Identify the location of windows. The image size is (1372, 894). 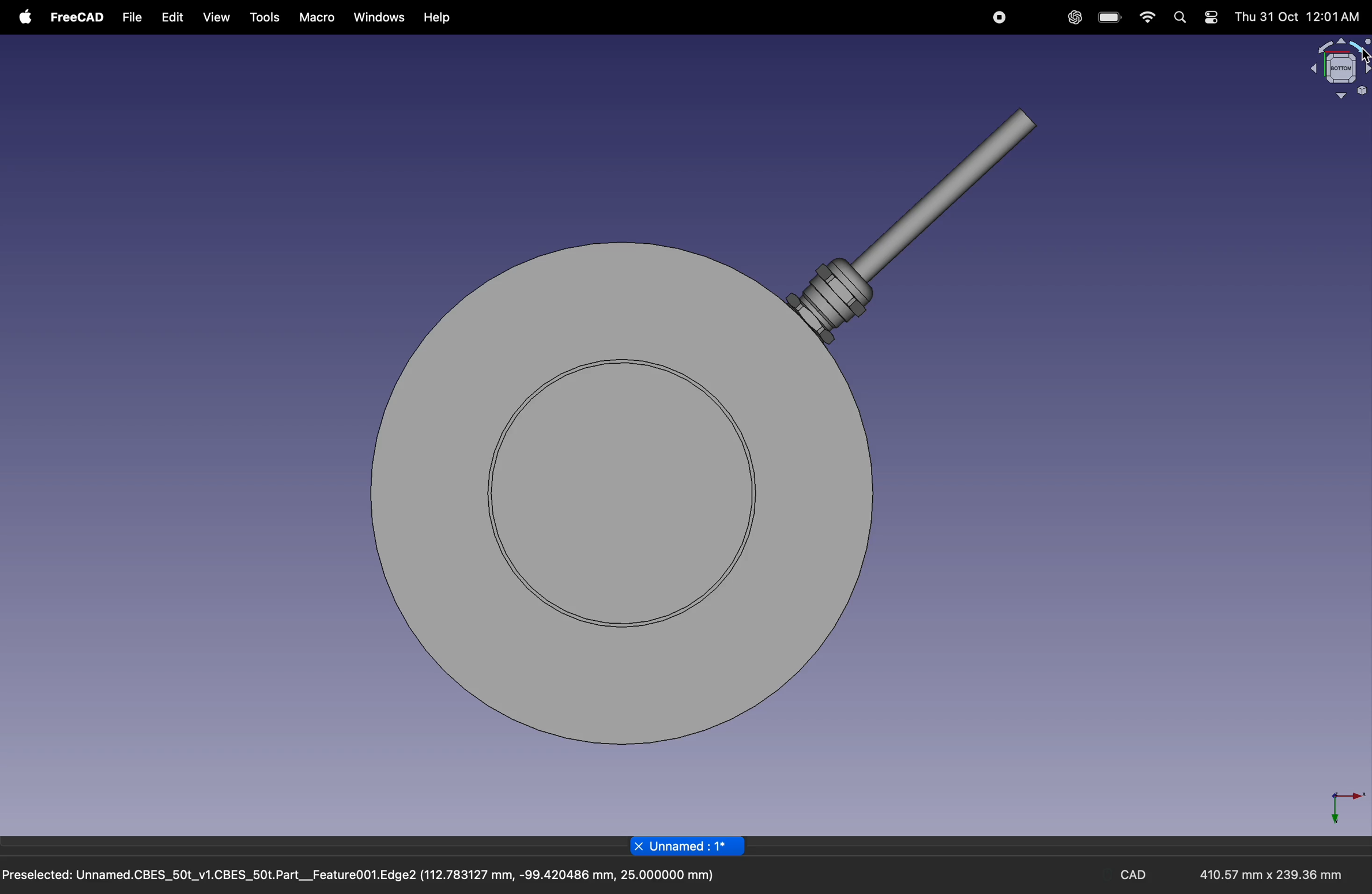
(378, 19).